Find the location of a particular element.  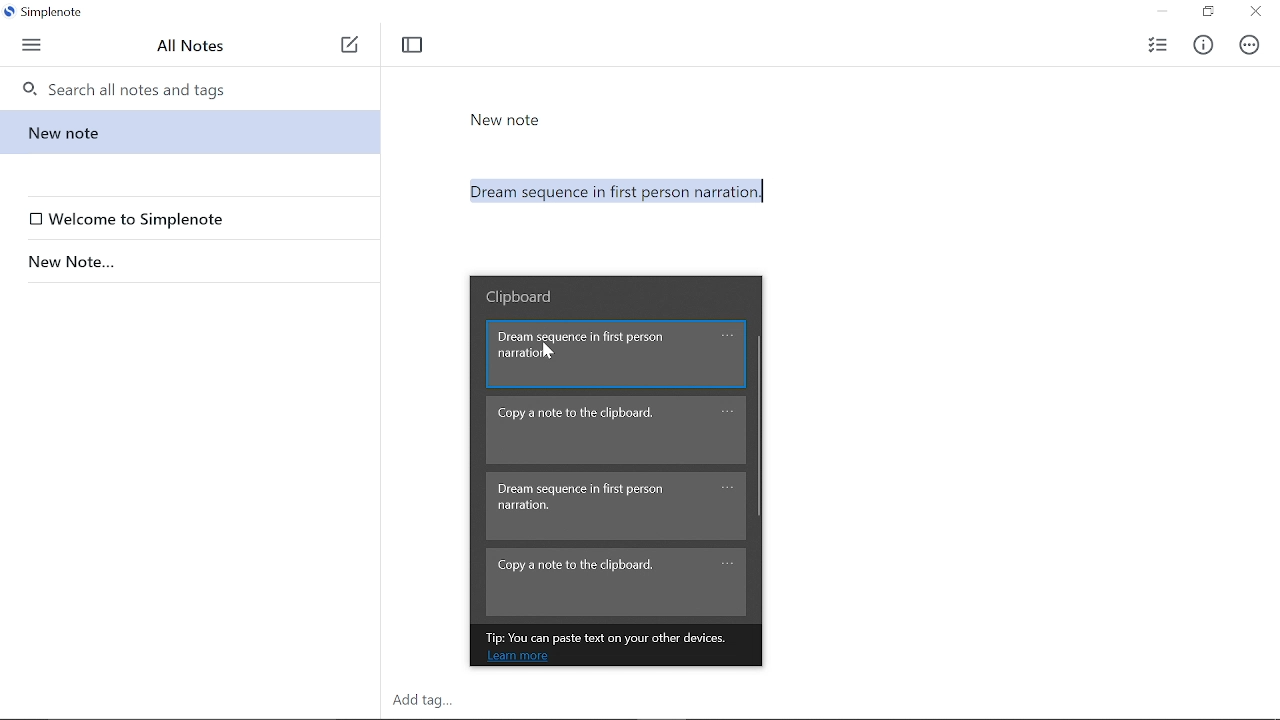

Search all notes and tags is located at coordinates (197, 88).